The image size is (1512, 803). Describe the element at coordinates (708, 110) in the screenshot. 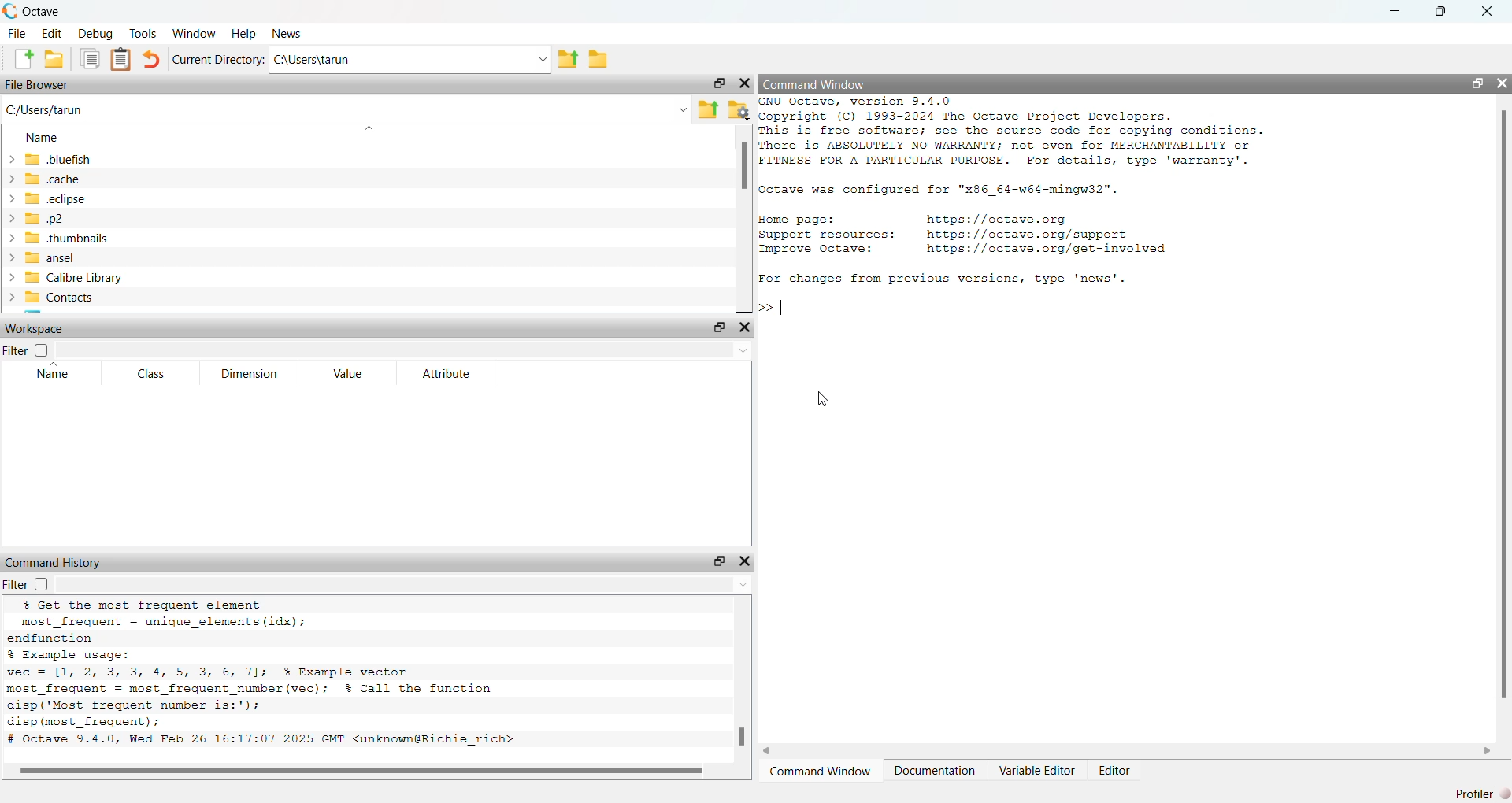

I see `One directory up` at that location.